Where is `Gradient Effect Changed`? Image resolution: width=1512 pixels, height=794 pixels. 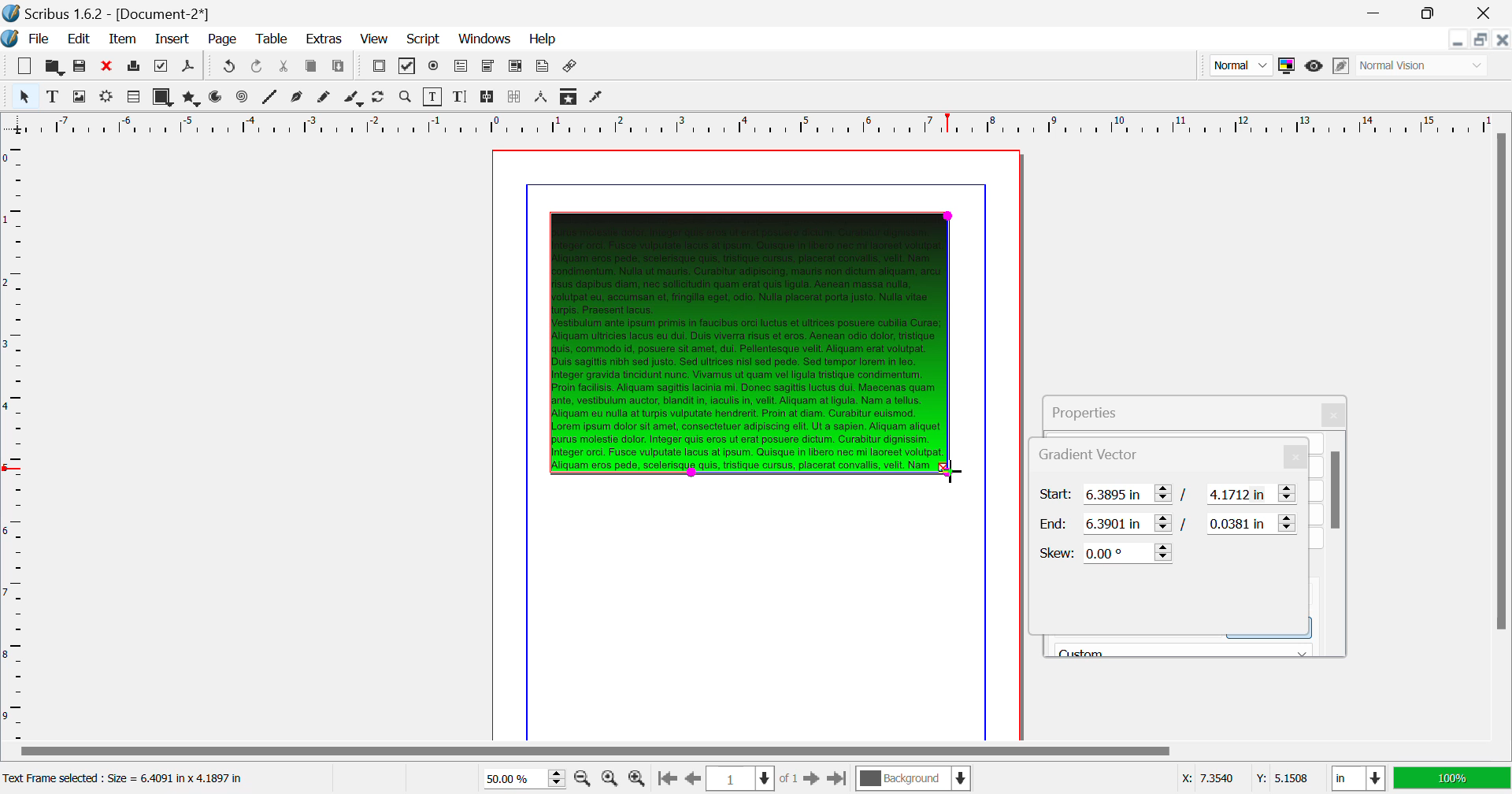
Gradient Effect Changed is located at coordinates (747, 343).